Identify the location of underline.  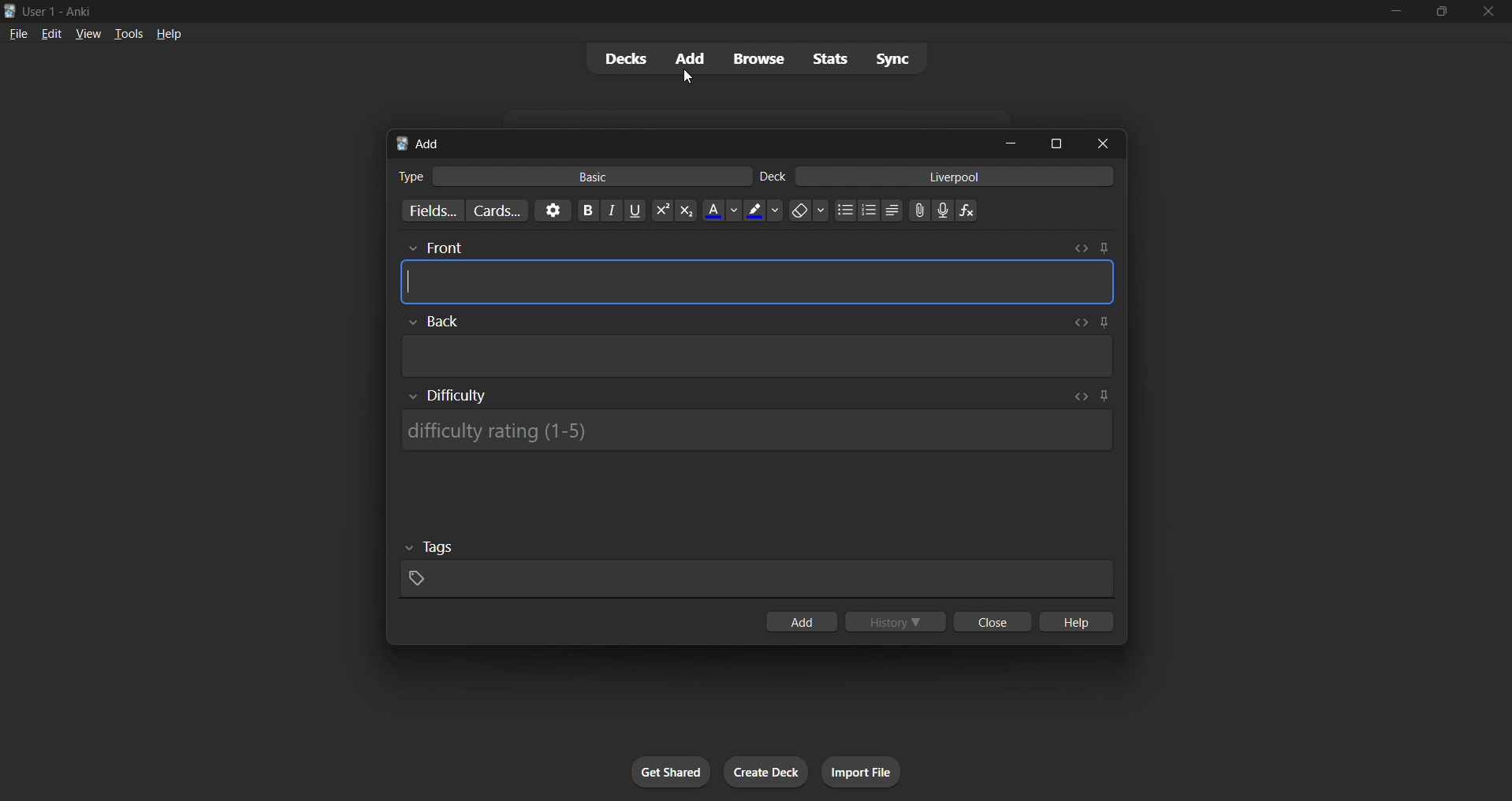
(637, 210).